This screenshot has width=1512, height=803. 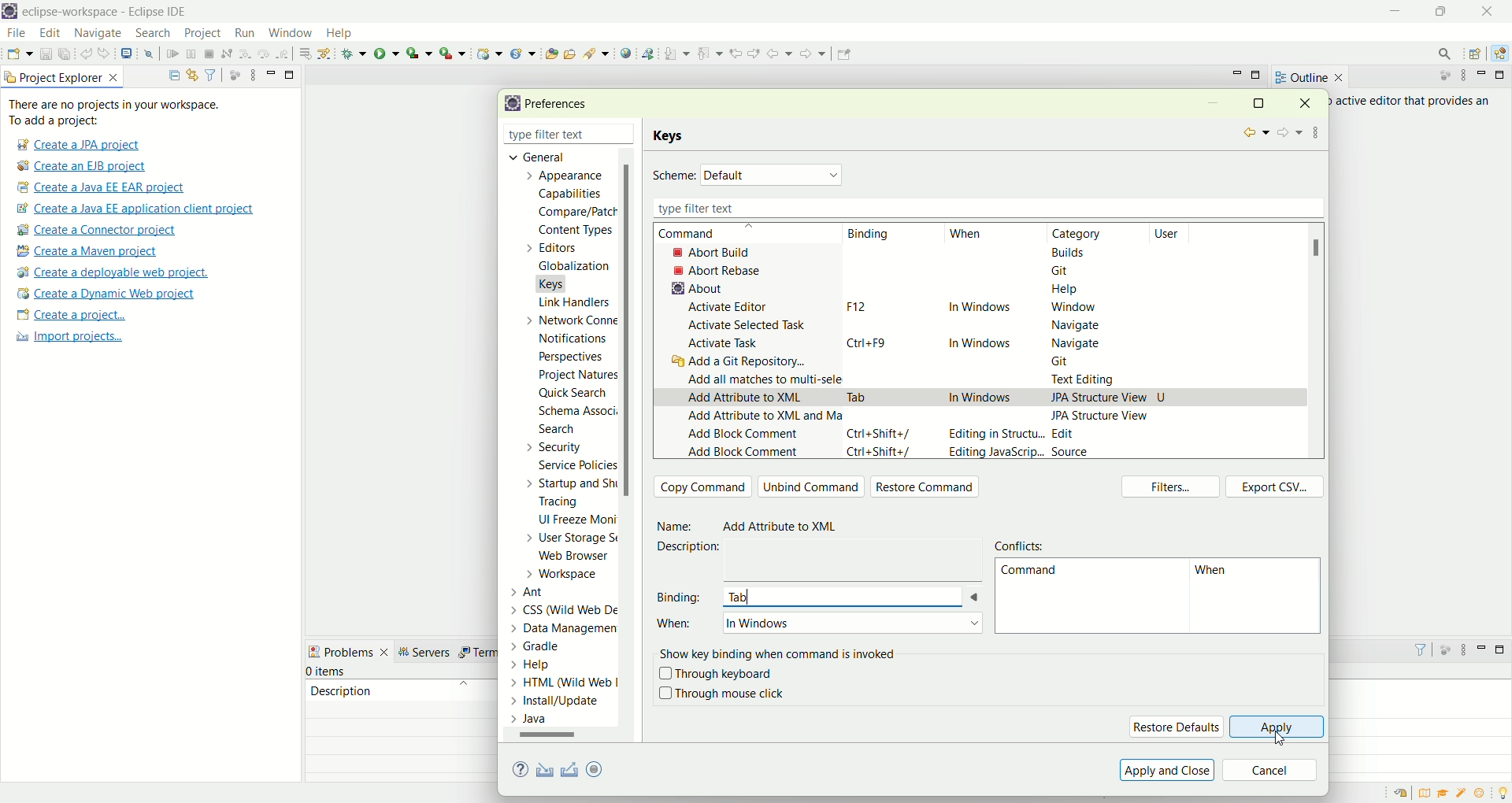 What do you see at coordinates (1492, 11) in the screenshot?
I see `close` at bounding box center [1492, 11].